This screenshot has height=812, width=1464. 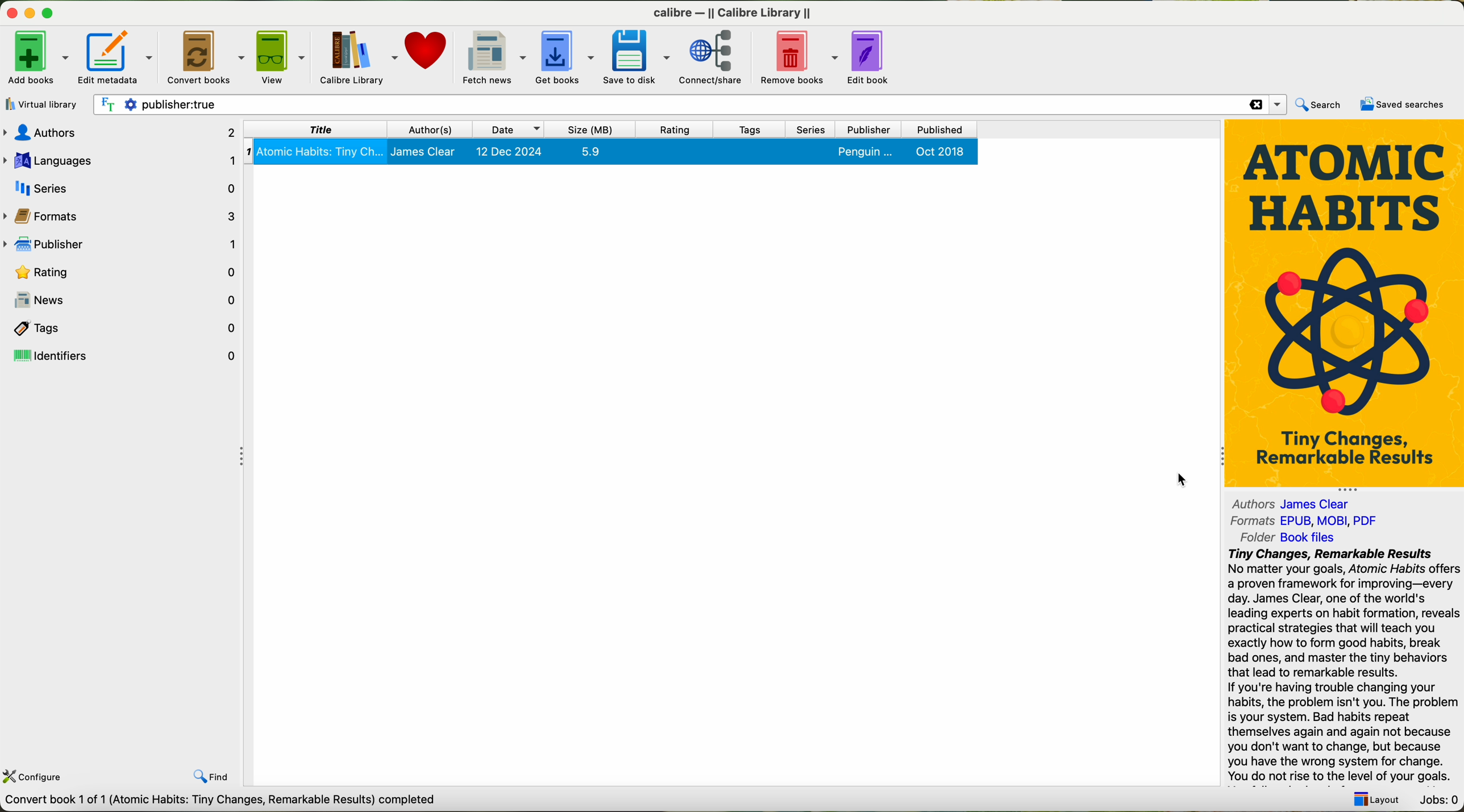 I want to click on saved searches, so click(x=1403, y=105).